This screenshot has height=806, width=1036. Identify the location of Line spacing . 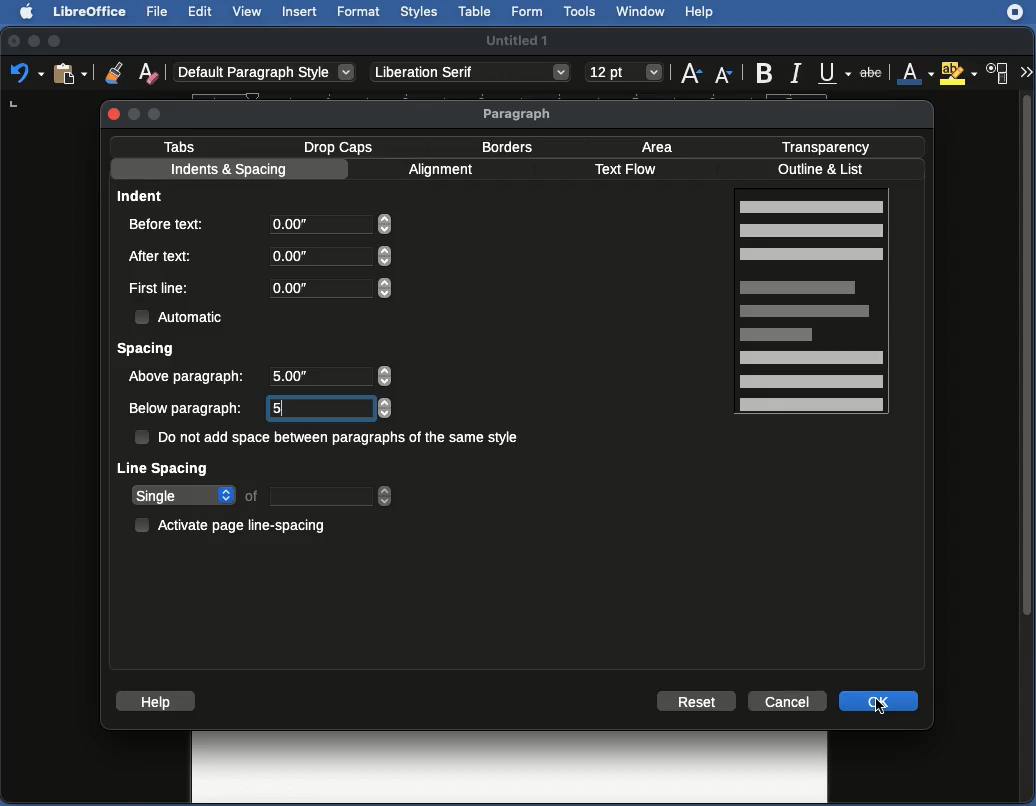
(164, 467).